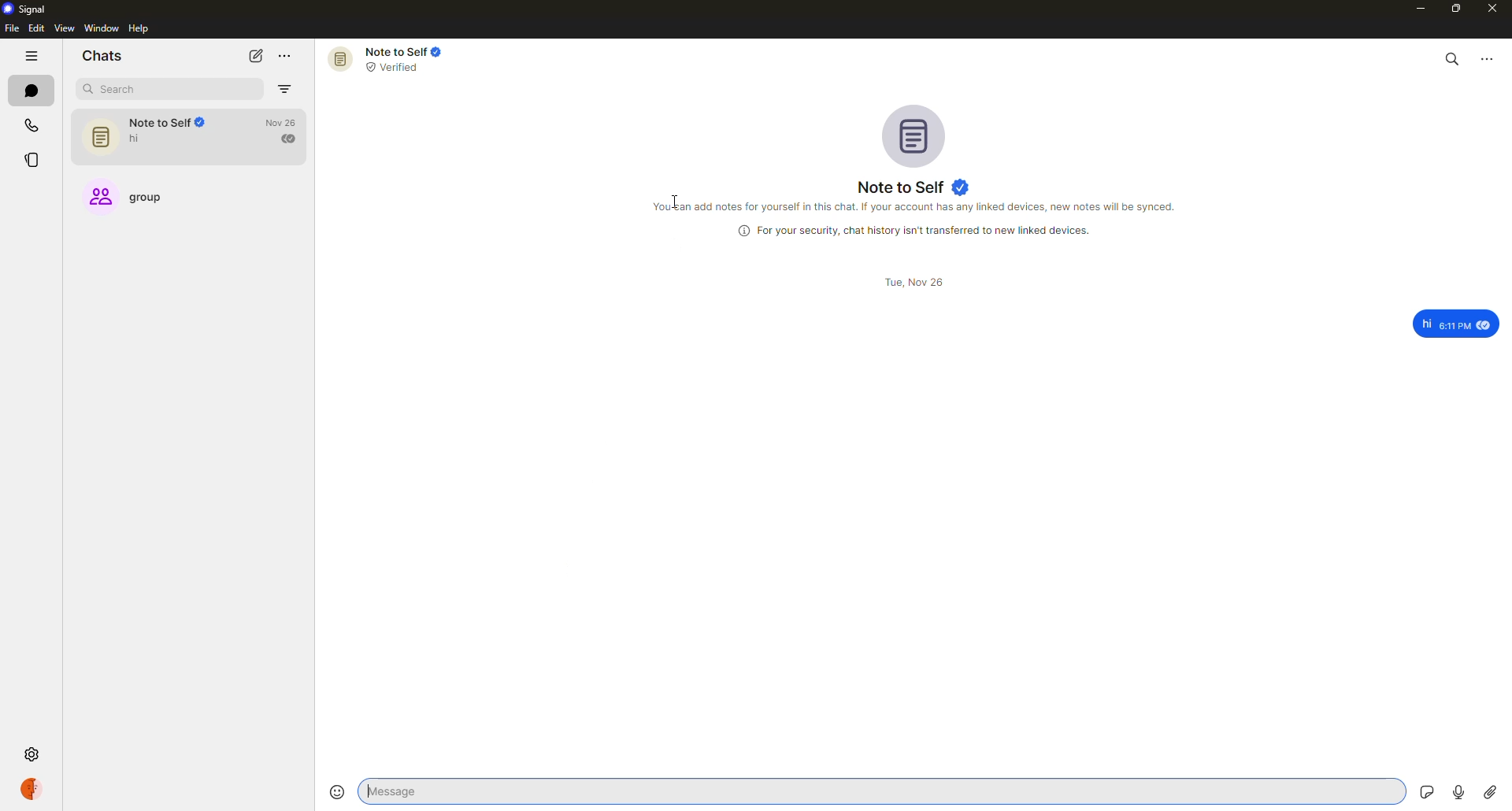 The width and height of the screenshot is (1512, 811). I want to click on file, so click(11, 28).